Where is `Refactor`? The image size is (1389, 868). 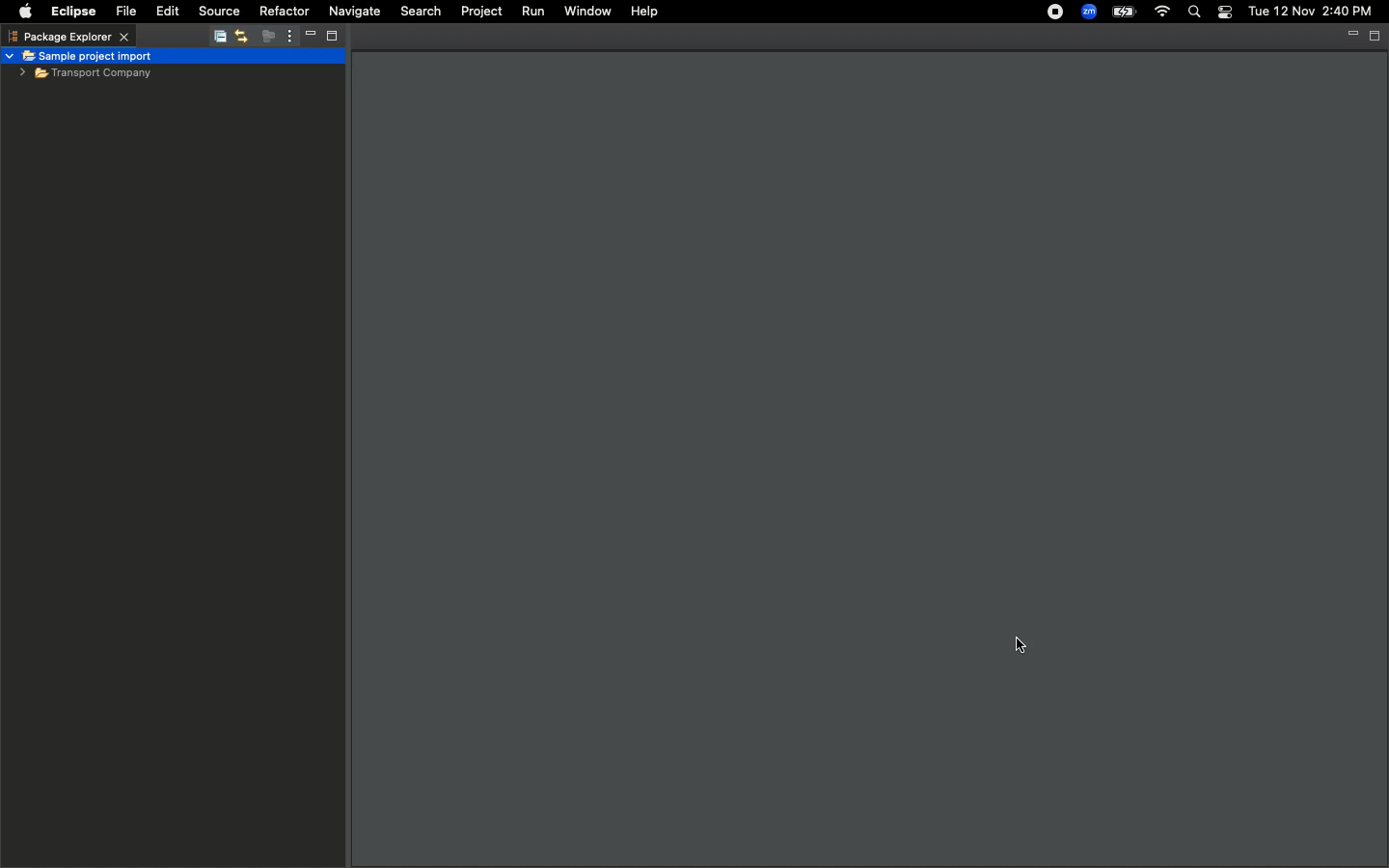 Refactor is located at coordinates (284, 10).